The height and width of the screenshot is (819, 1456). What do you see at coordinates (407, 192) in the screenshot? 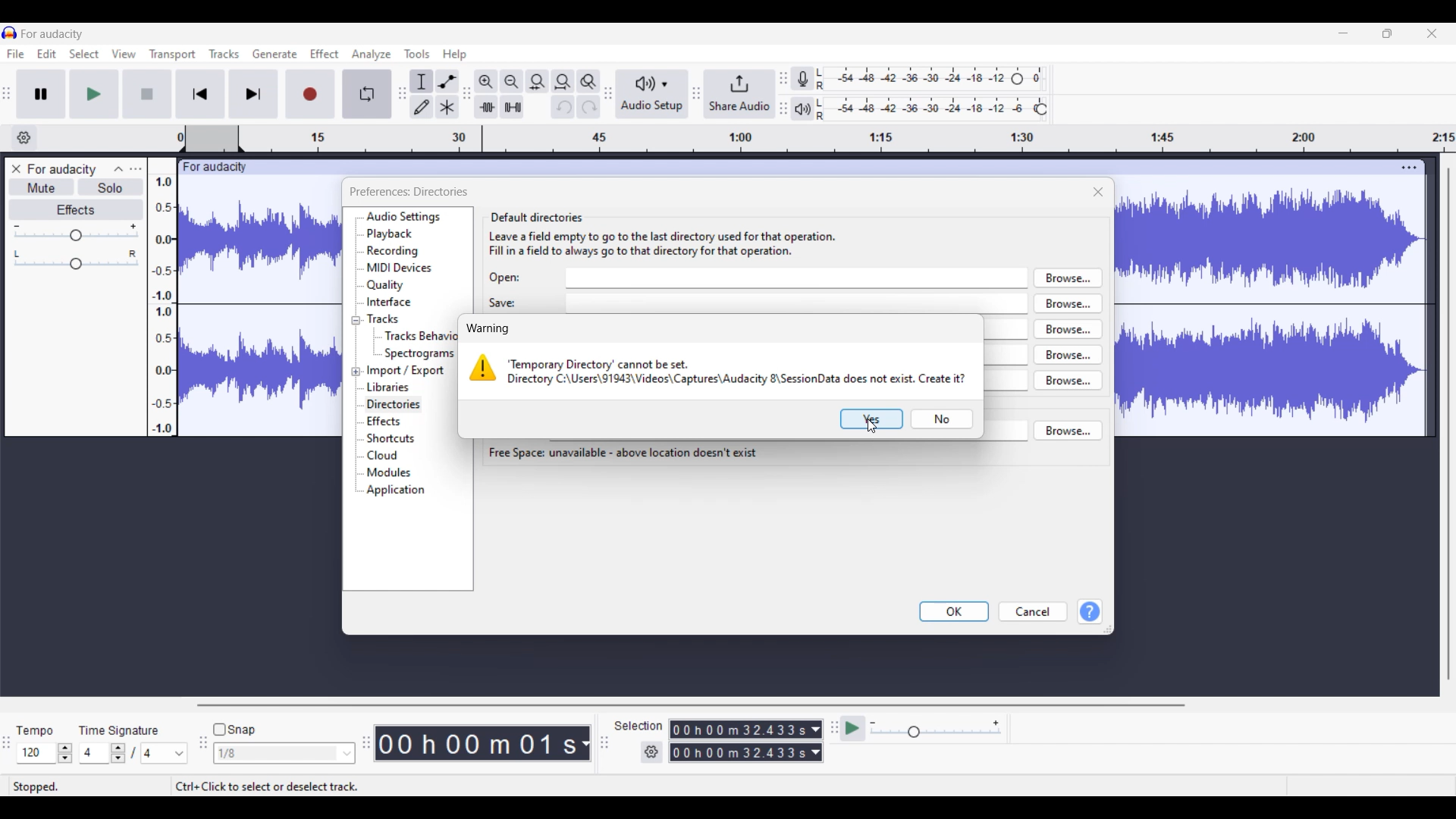
I see `Title of window and current setting` at bounding box center [407, 192].